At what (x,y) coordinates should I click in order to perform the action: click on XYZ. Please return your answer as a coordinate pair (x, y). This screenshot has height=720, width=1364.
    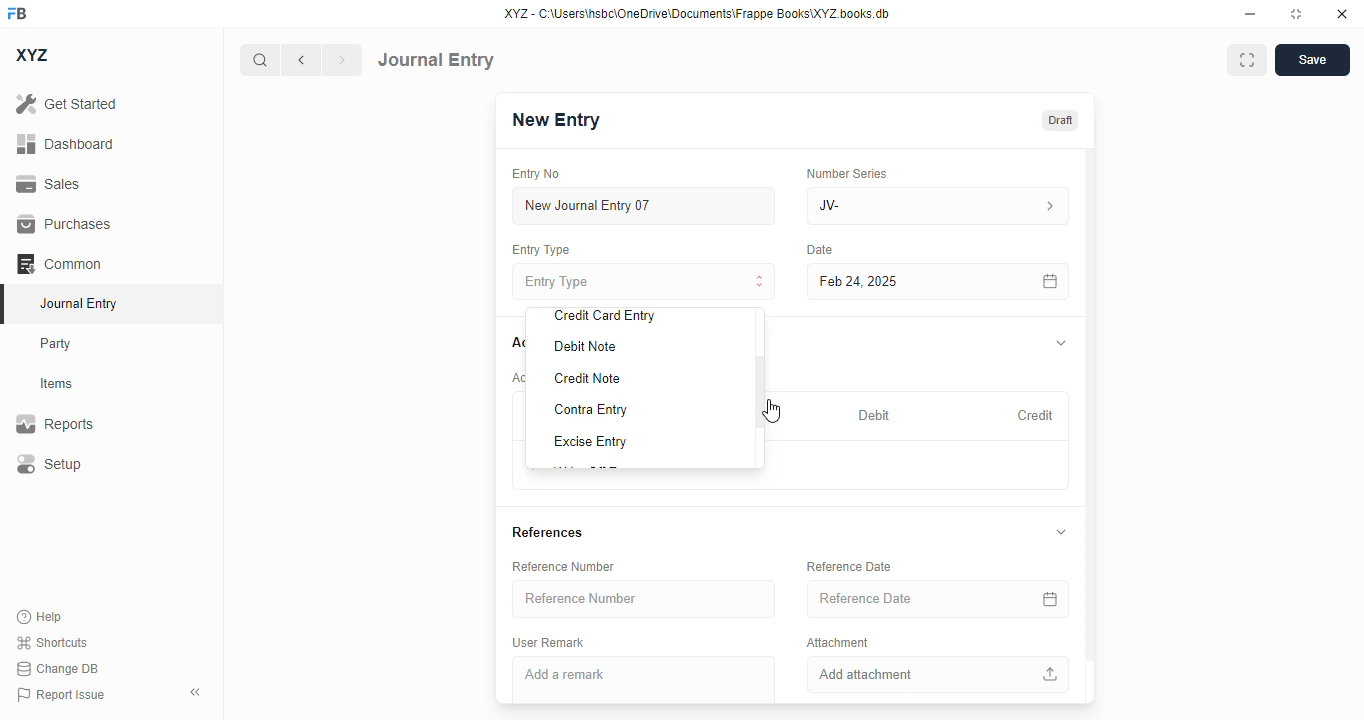
    Looking at the image, I should click on (31, 55).